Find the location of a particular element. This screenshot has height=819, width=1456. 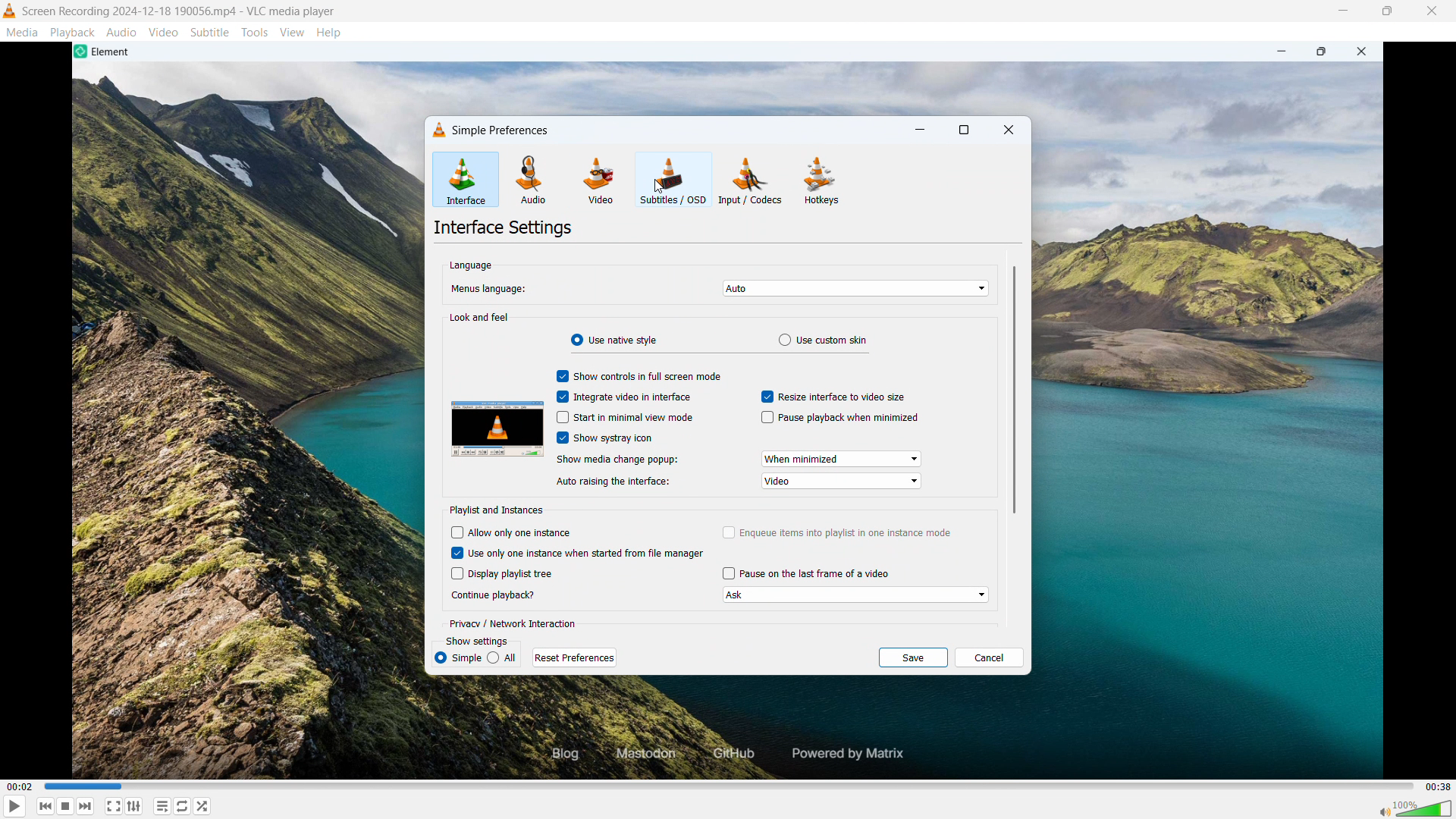

Subtitle  is located at coordinates (210, 33).